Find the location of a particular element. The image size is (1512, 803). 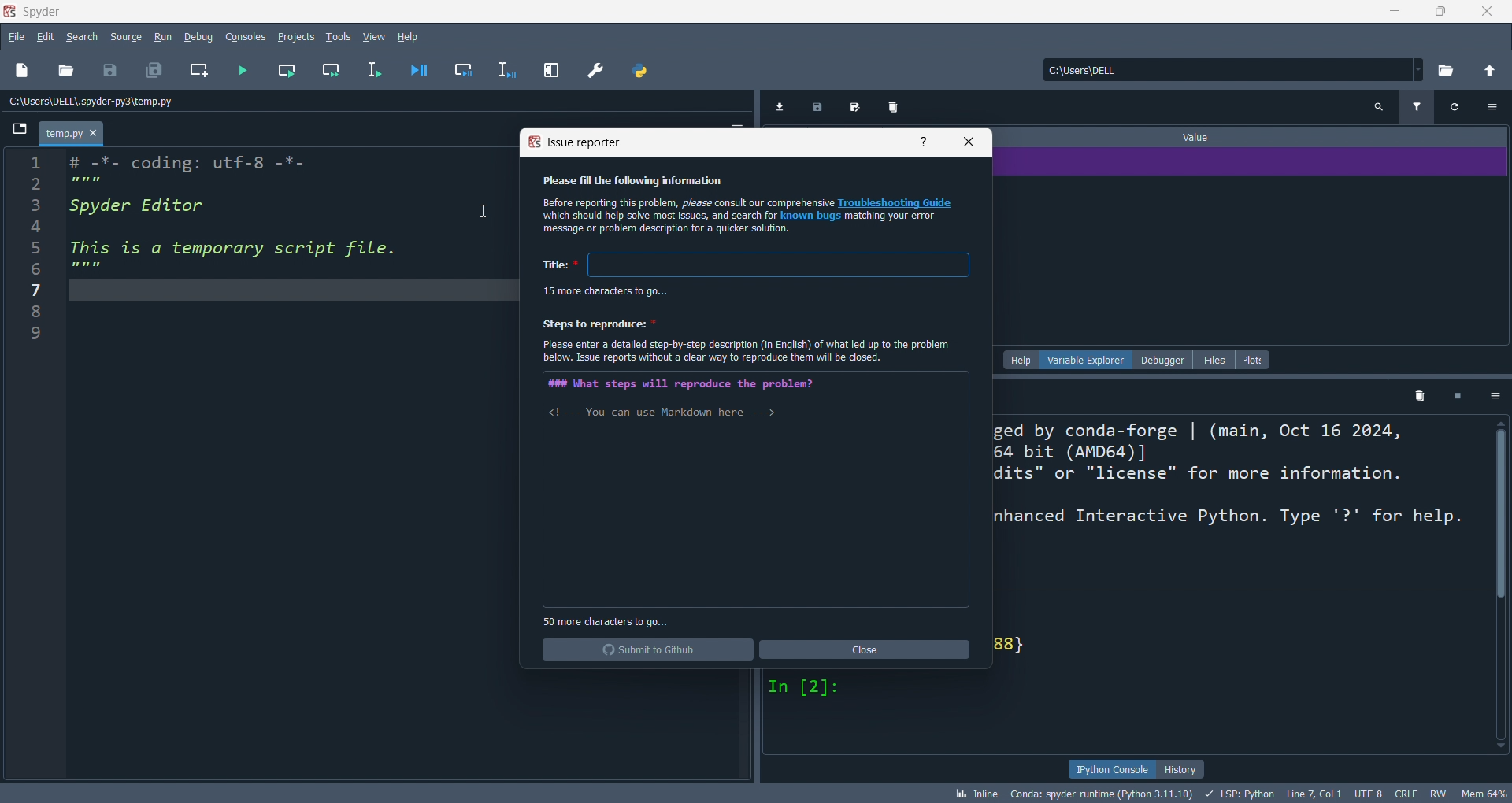

debug line is located at coordinates (509, 71).